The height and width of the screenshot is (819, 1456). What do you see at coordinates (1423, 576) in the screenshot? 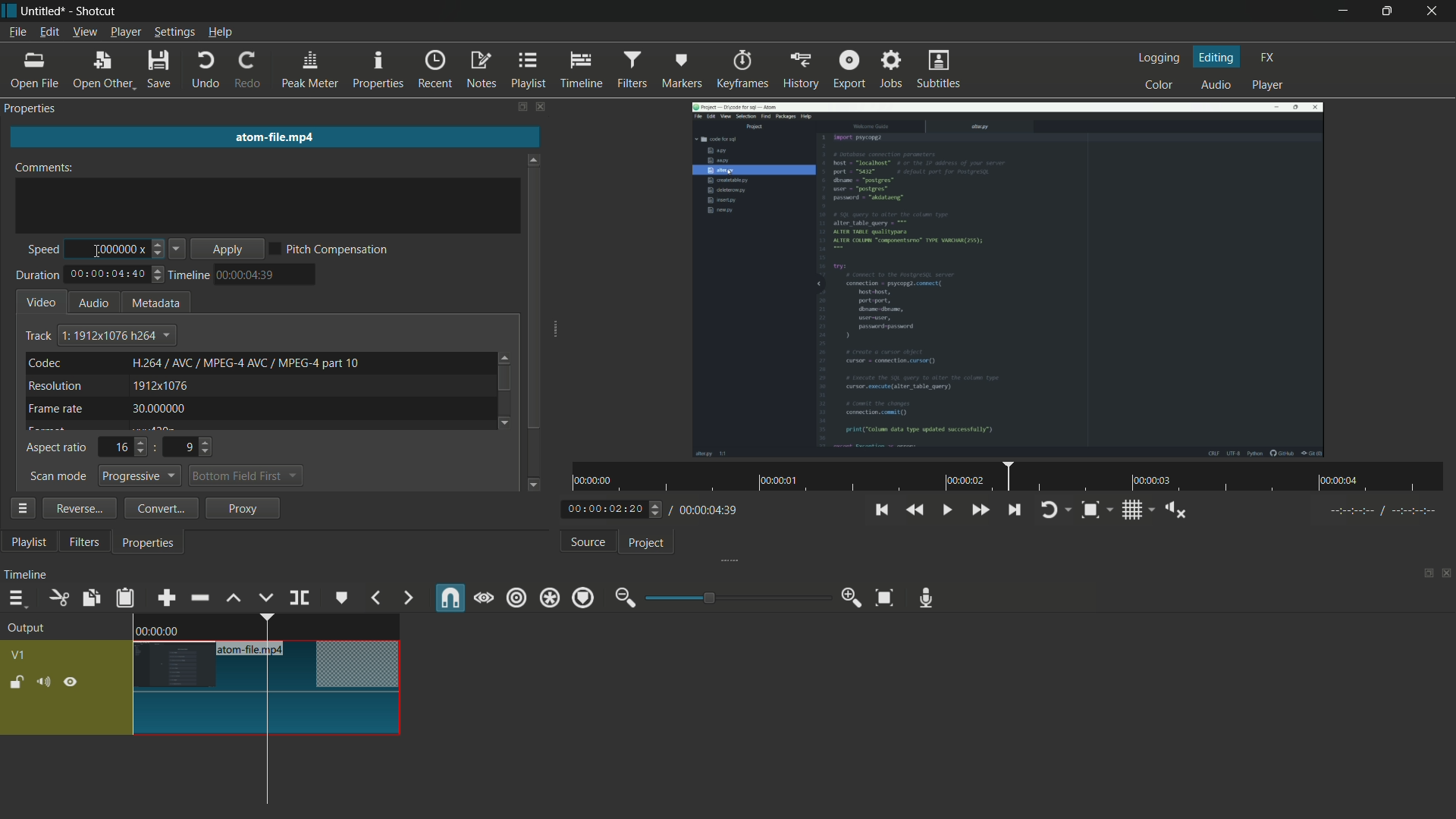
I see `change layout` at bounding box center [1423, 576].